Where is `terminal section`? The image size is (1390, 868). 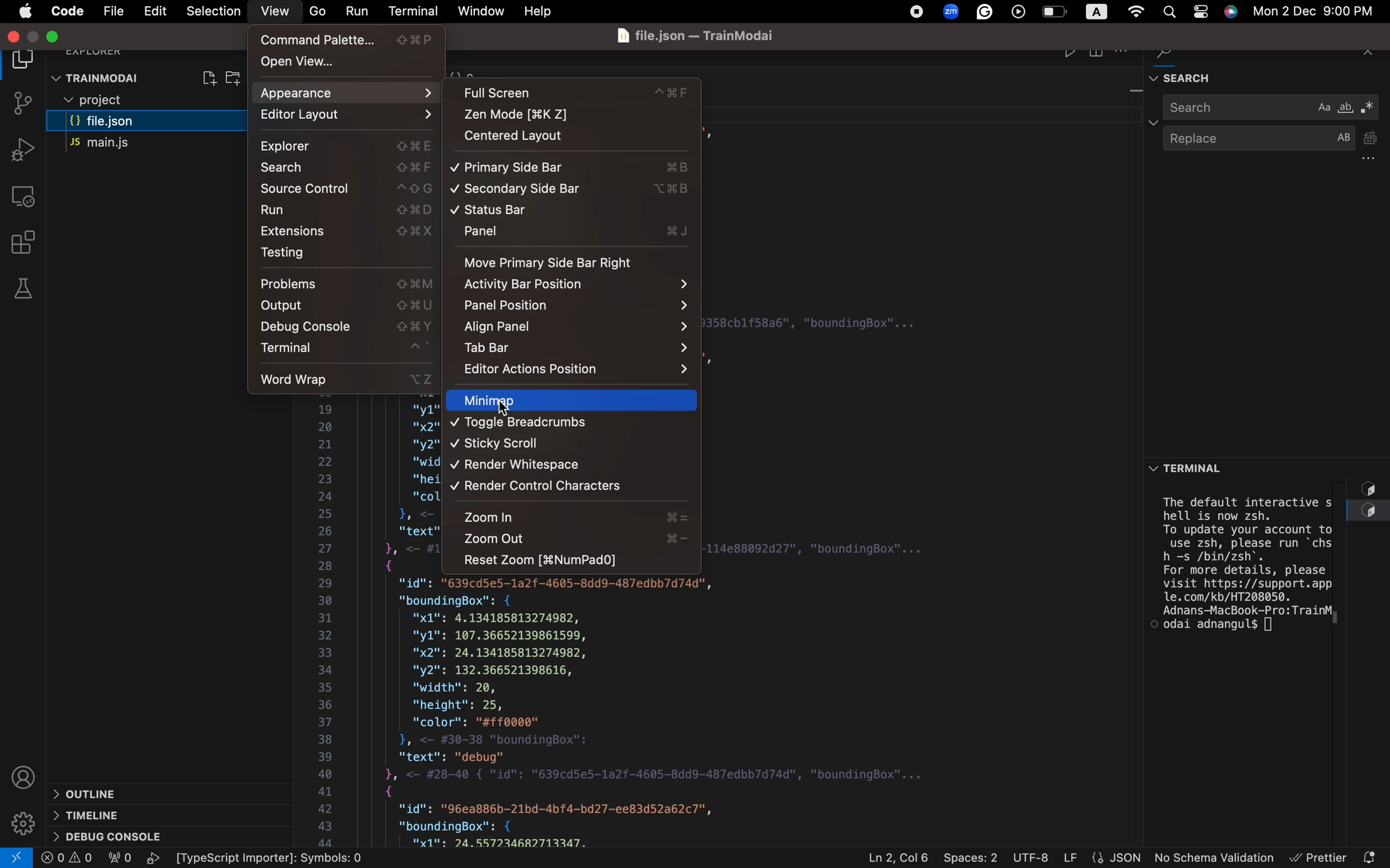
terminal section is located at coordinates (1269, 661).